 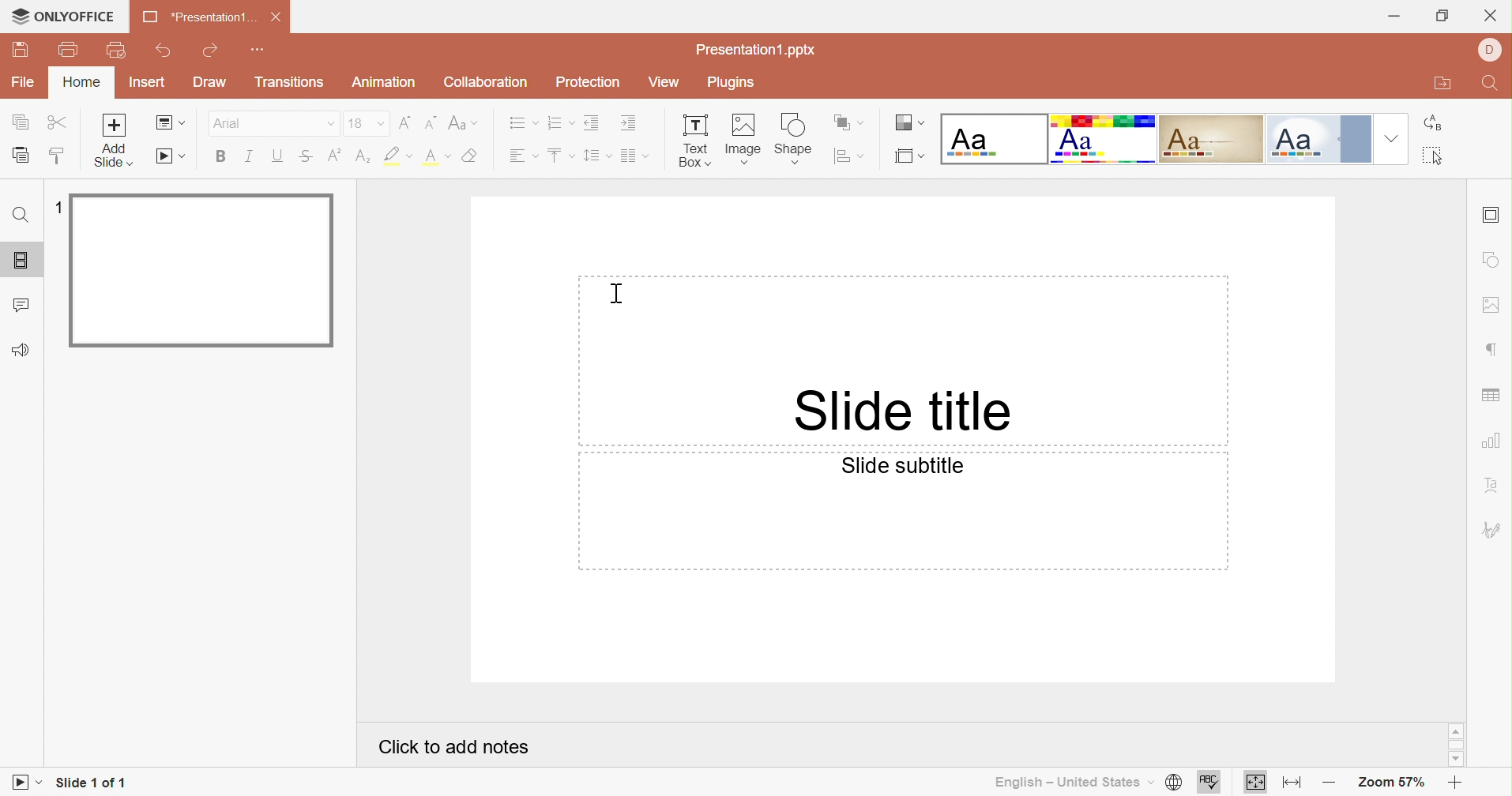 What do you see at coordinates (629, 156) in the screenshot?
I see `Merge and center` at bounding box center [629, 156].